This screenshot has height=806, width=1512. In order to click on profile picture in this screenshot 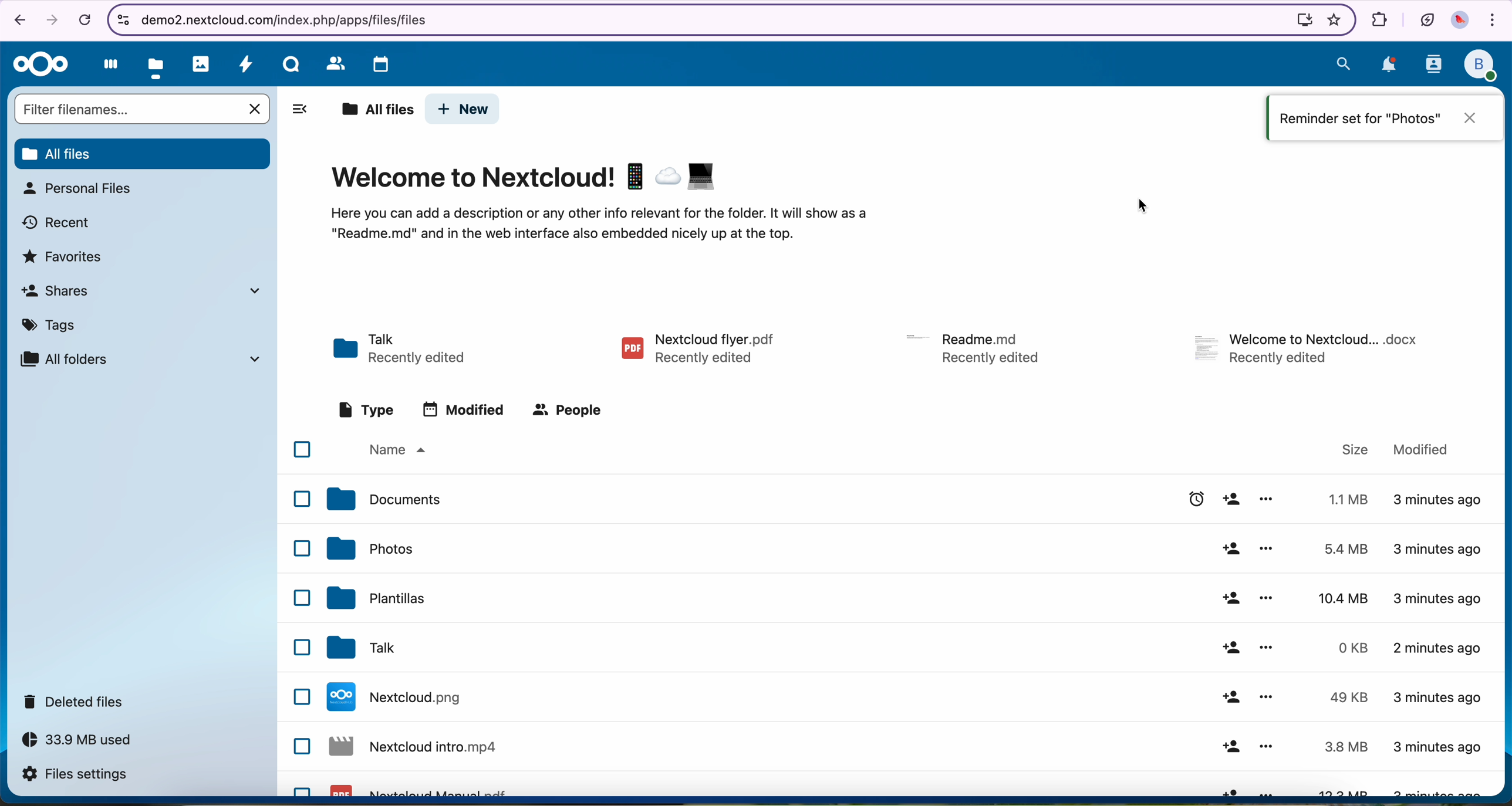, I will do `click(1462, 22)`.